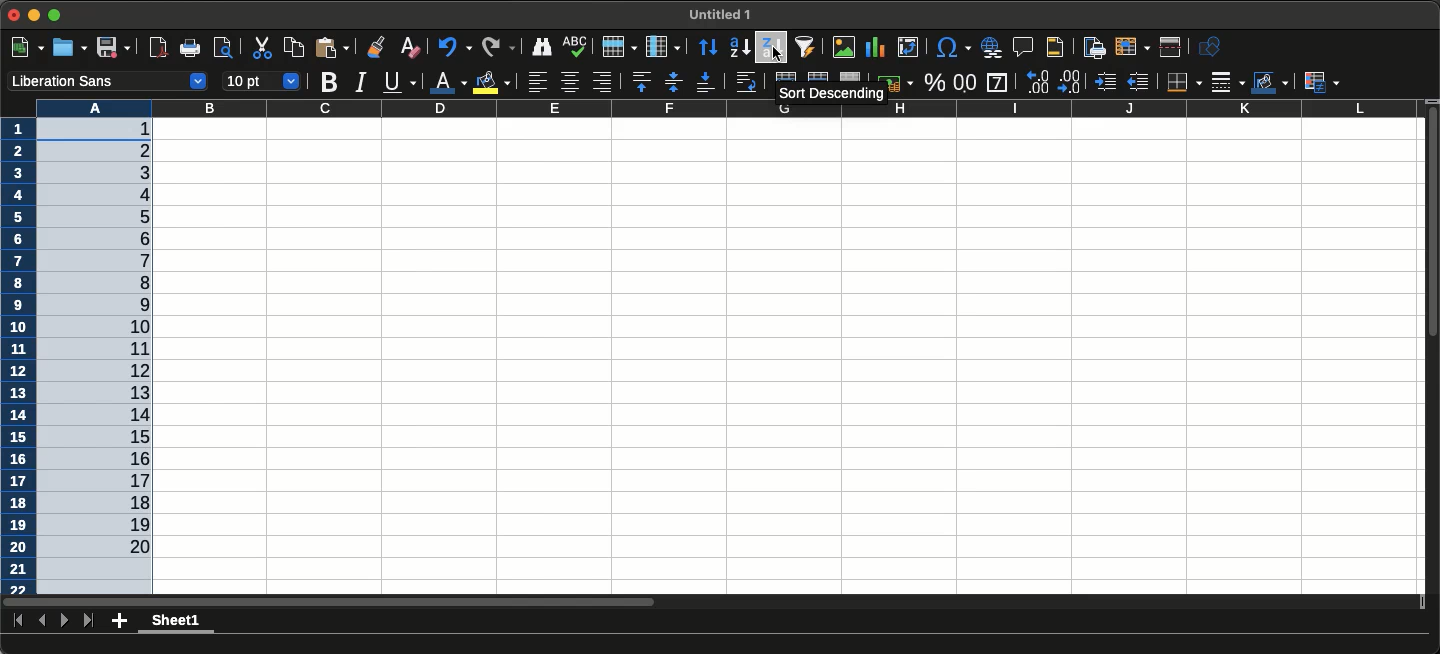 The height and width of the screenshot is (654, 1440). I want to click on Show draw functions, so click(1213, 48).